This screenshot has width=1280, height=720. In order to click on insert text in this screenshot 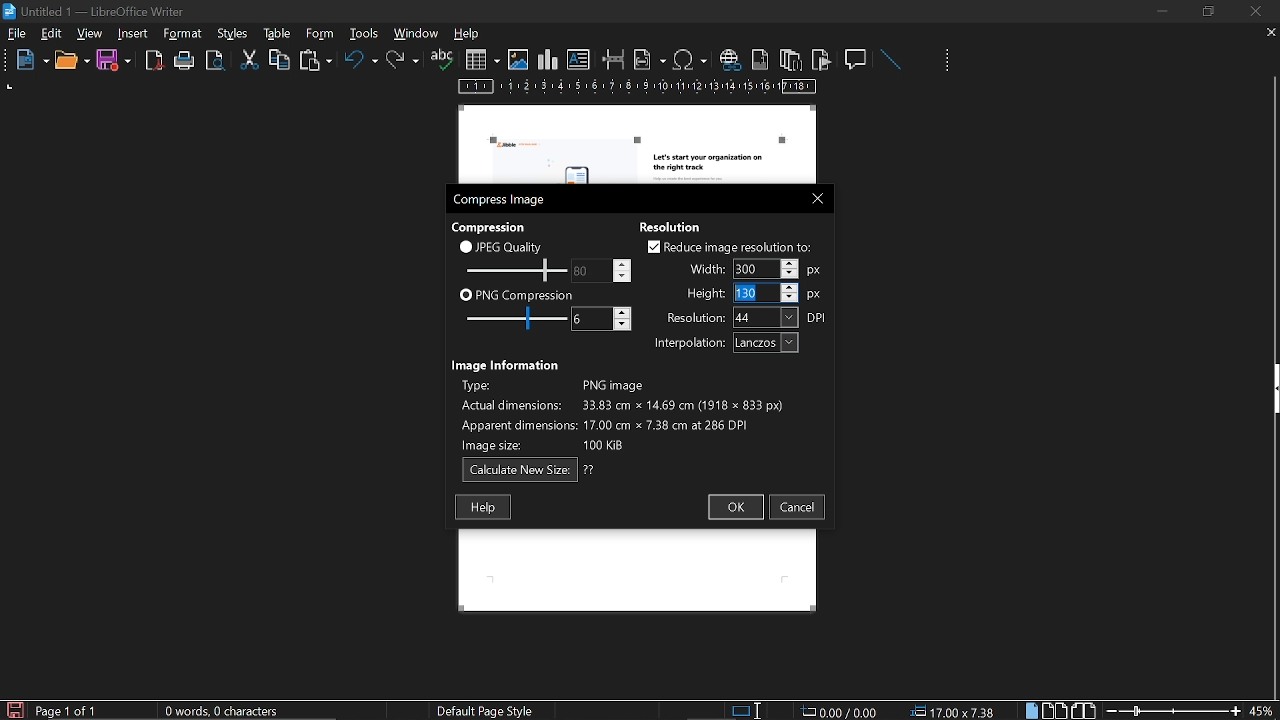, I will do `click(579, 60)`.